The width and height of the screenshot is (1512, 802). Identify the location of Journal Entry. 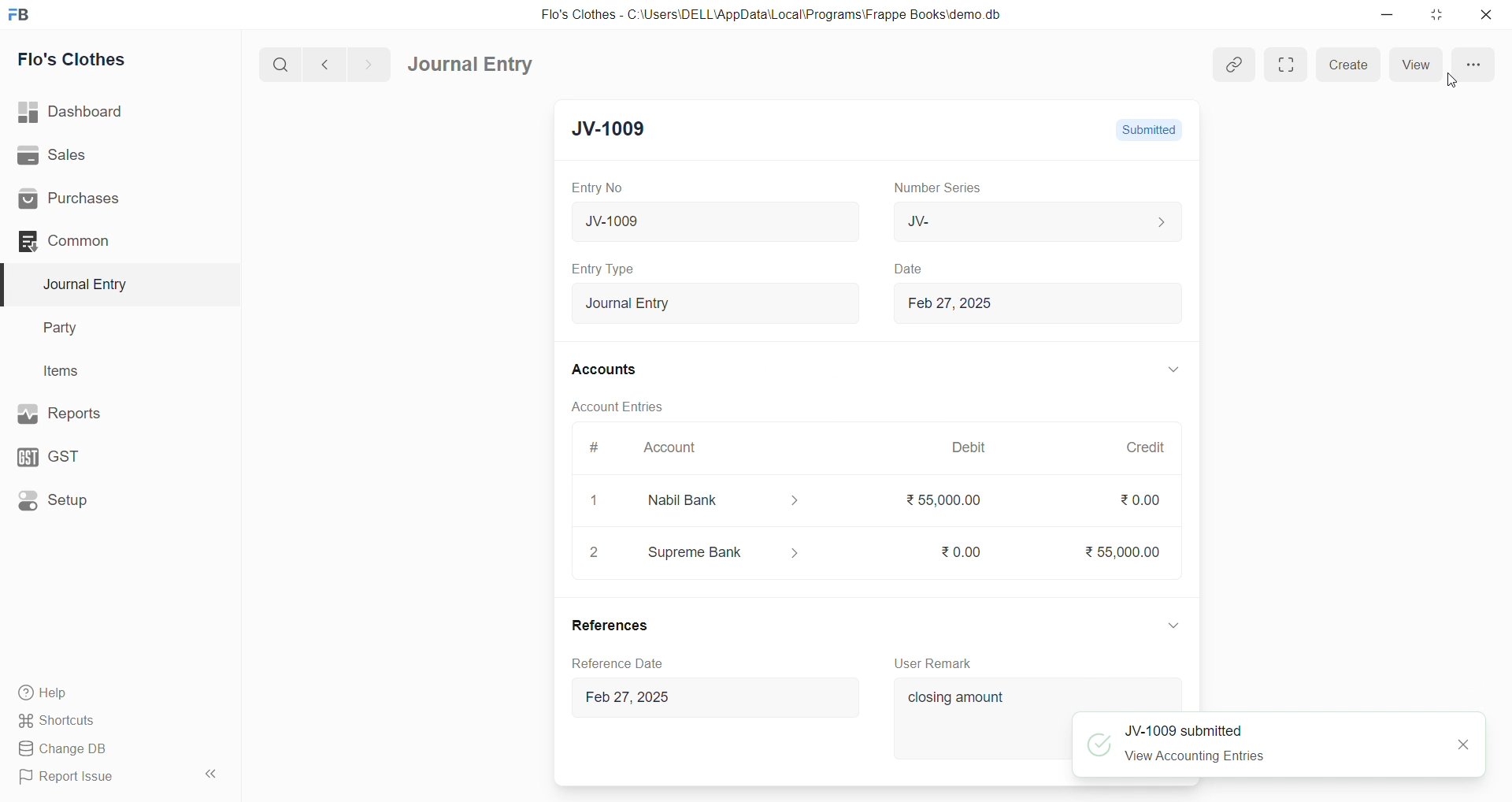
(471, 64).